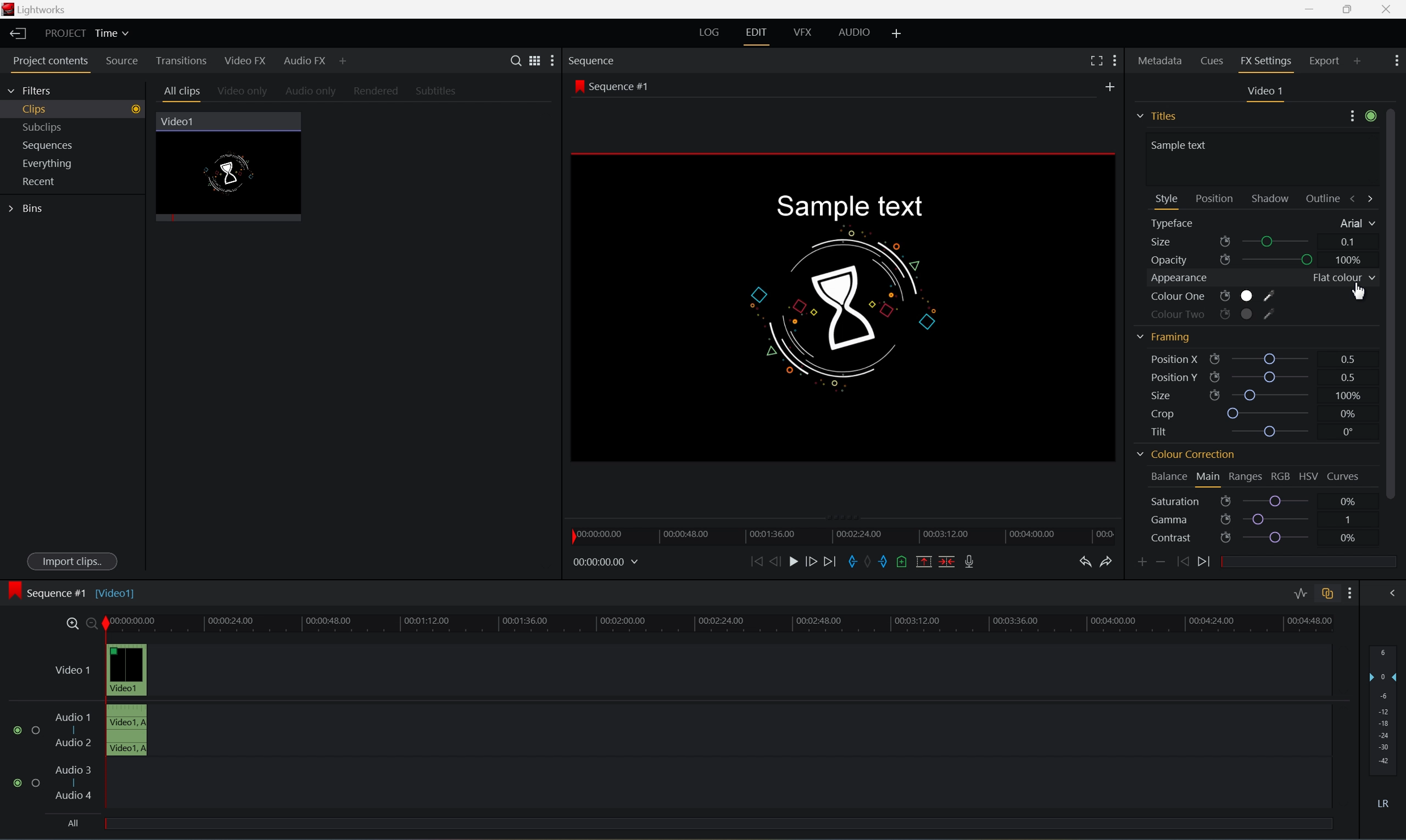 Image resolution: width=1406 pixels, height=840 pixels. Describe the element at coordinates (306, 62) in the screenshot. I see `Audio FX` at that location.